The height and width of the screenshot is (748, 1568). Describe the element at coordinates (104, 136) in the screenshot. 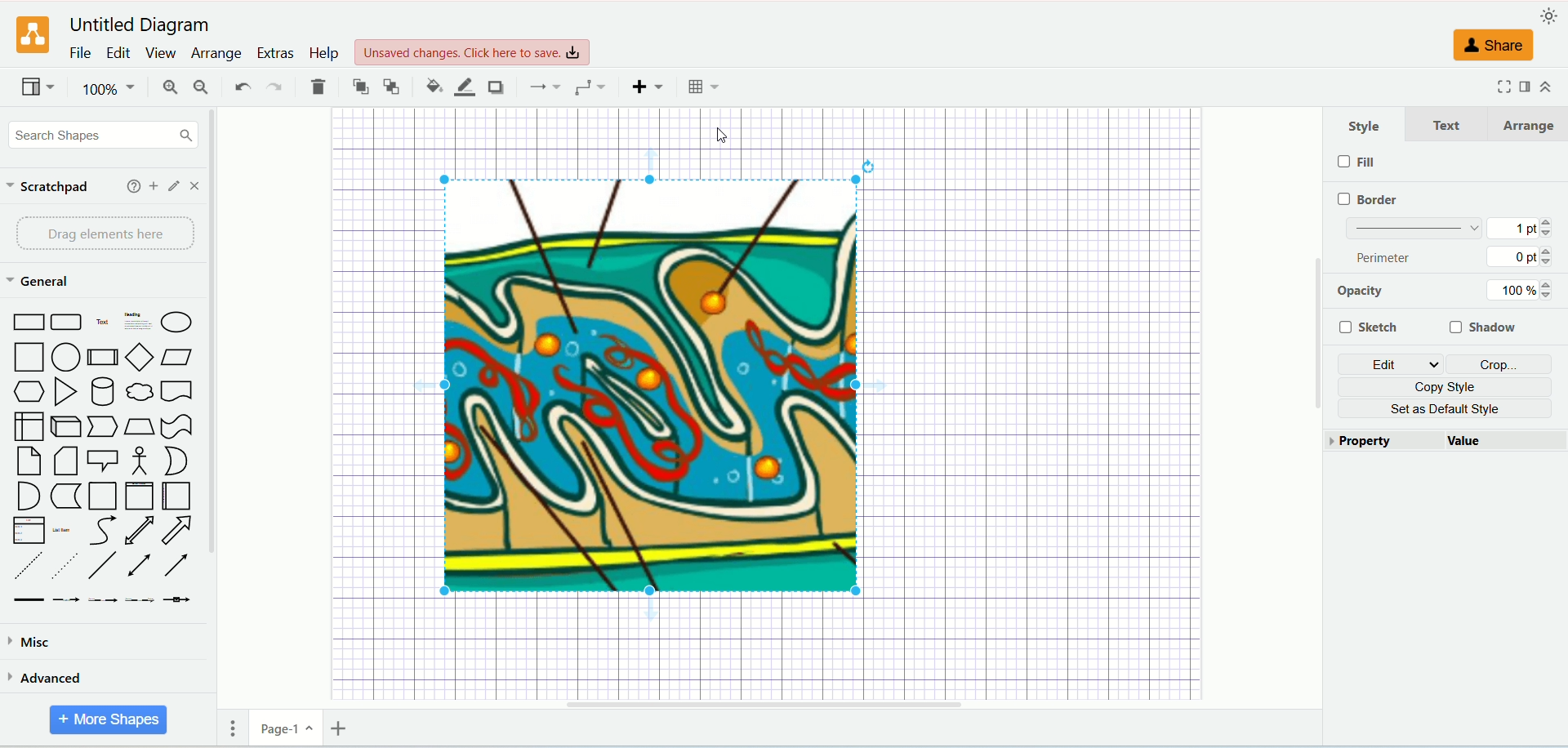

I see `search shapes` at that location.